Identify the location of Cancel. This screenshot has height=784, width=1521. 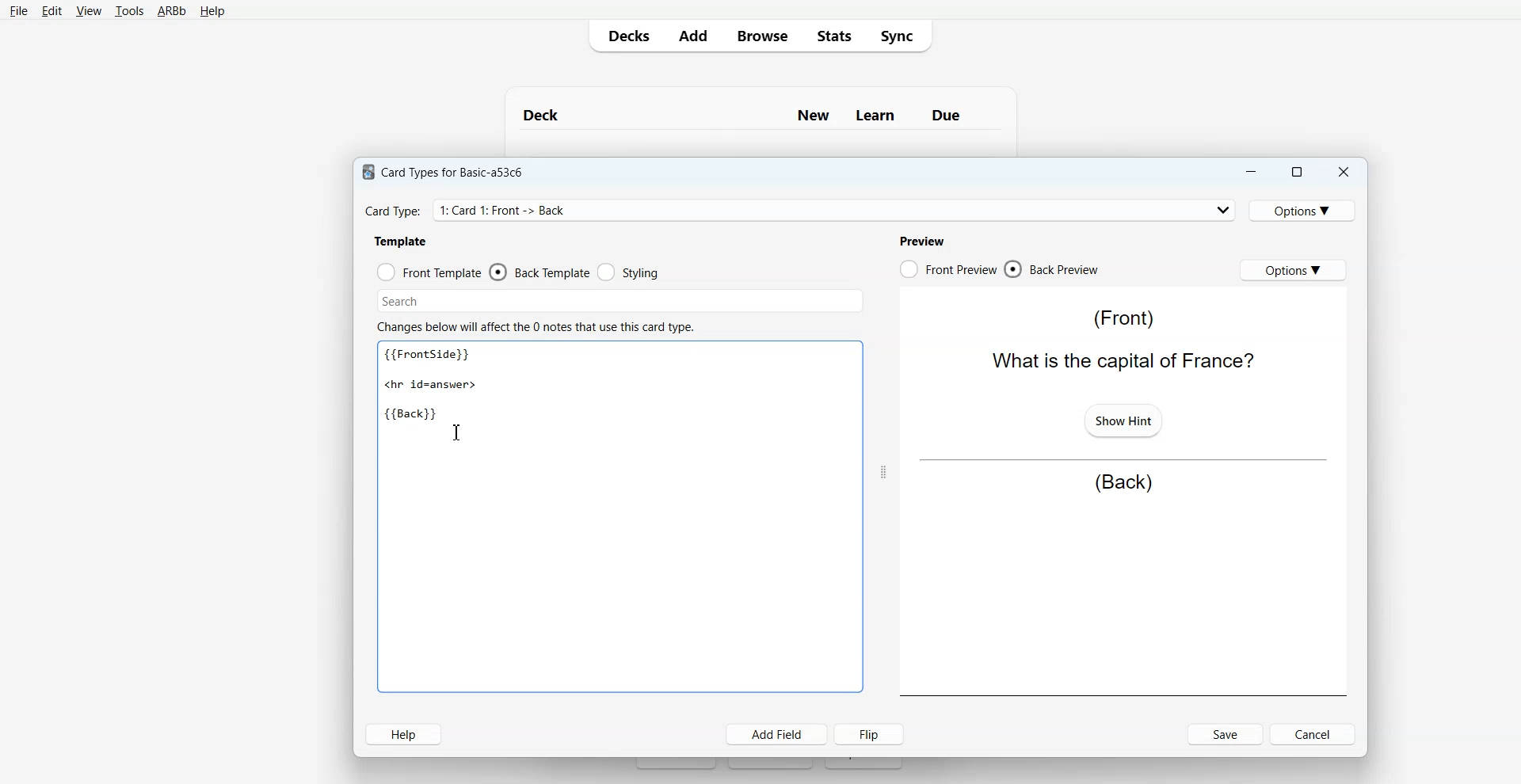
(1315, 733).